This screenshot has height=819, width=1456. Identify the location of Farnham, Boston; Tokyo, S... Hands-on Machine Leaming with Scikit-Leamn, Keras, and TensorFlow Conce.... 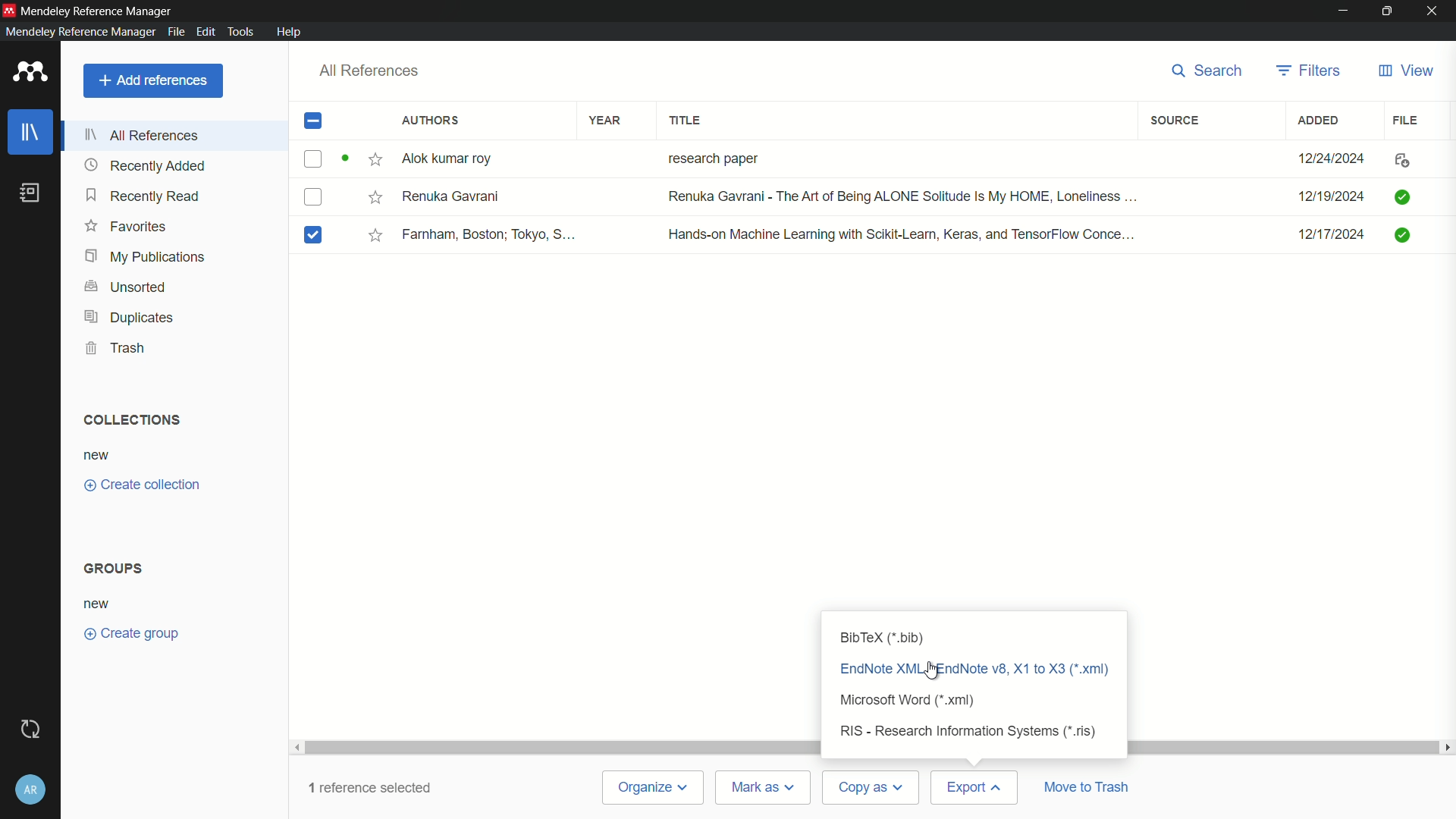
(785, 235).